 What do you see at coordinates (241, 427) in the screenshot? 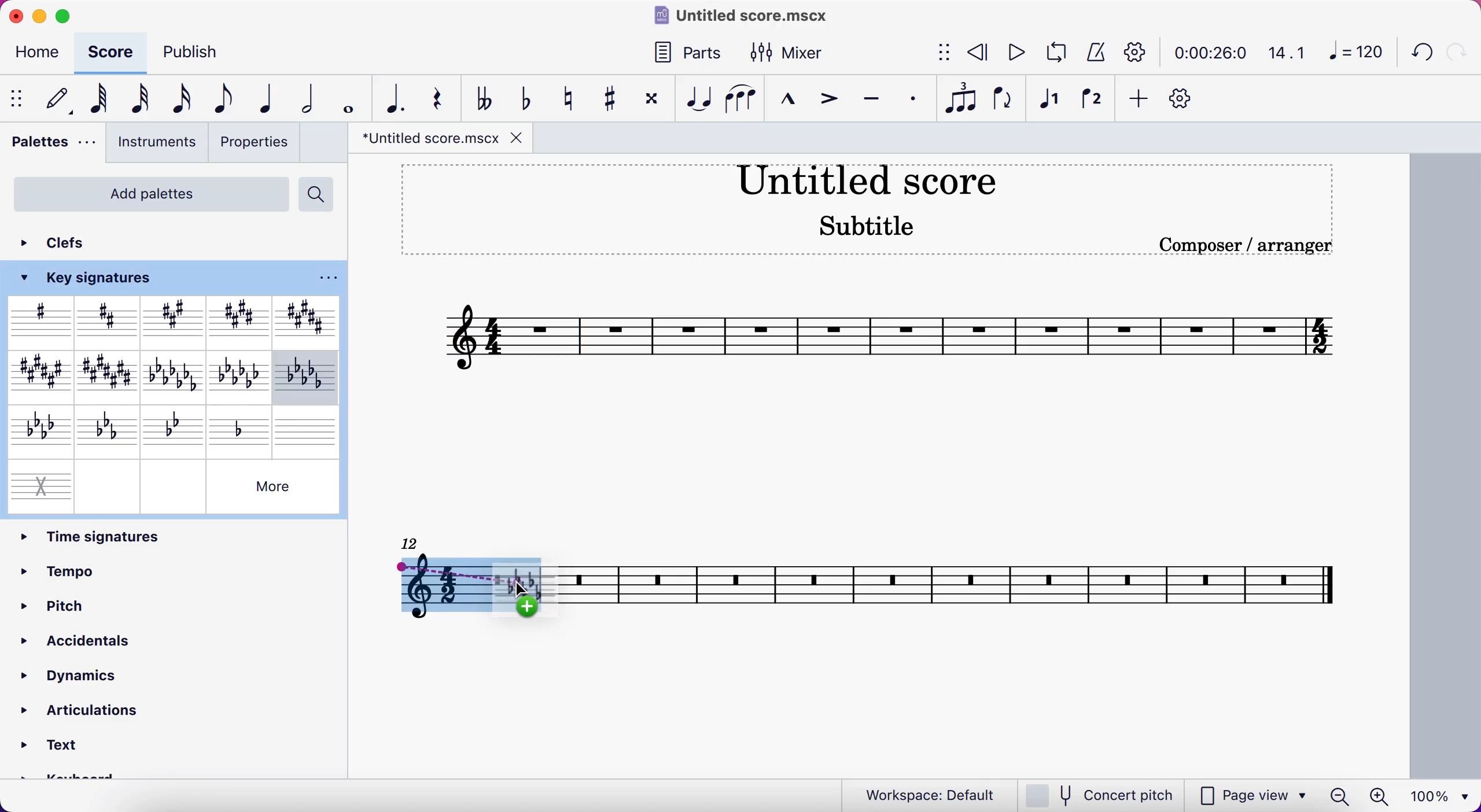
I see `D minor` at bounding box center [241, 427].